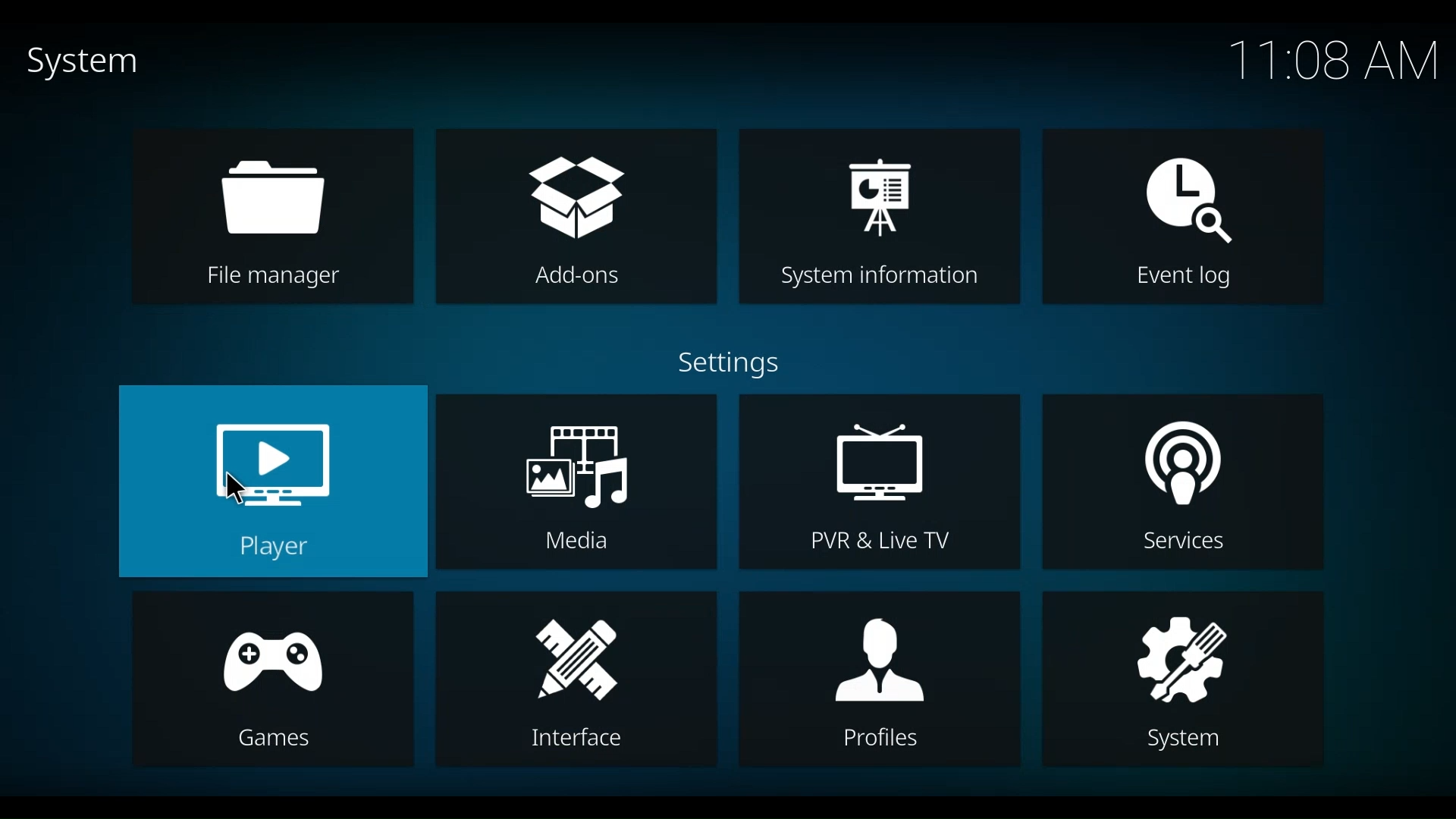  I want to click on File manager, so click(275, 215).